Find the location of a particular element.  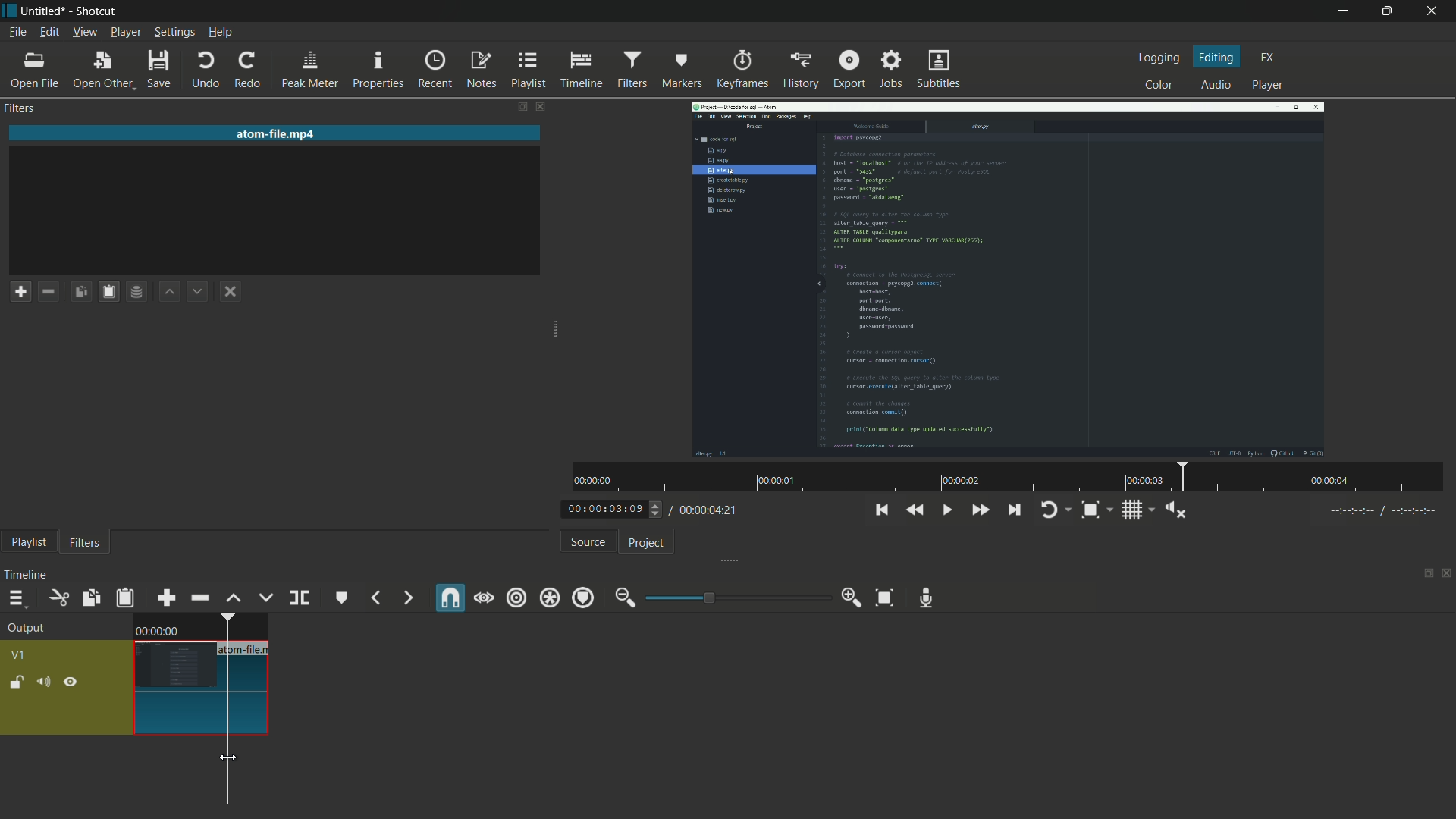

skip to the next point is located at coordinates (1013, 510).